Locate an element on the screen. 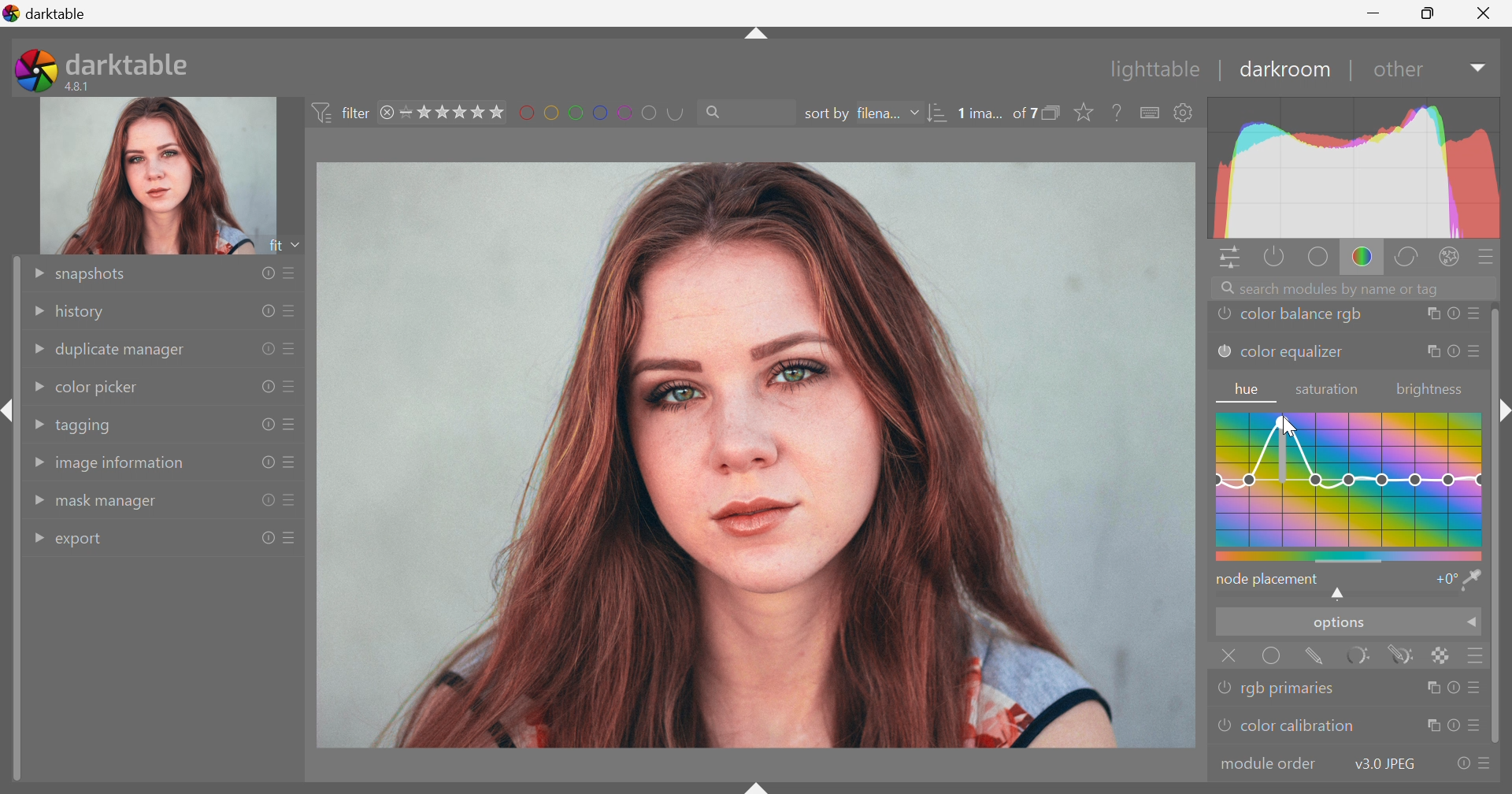  raster mask is located at coordinates (1443, 655).